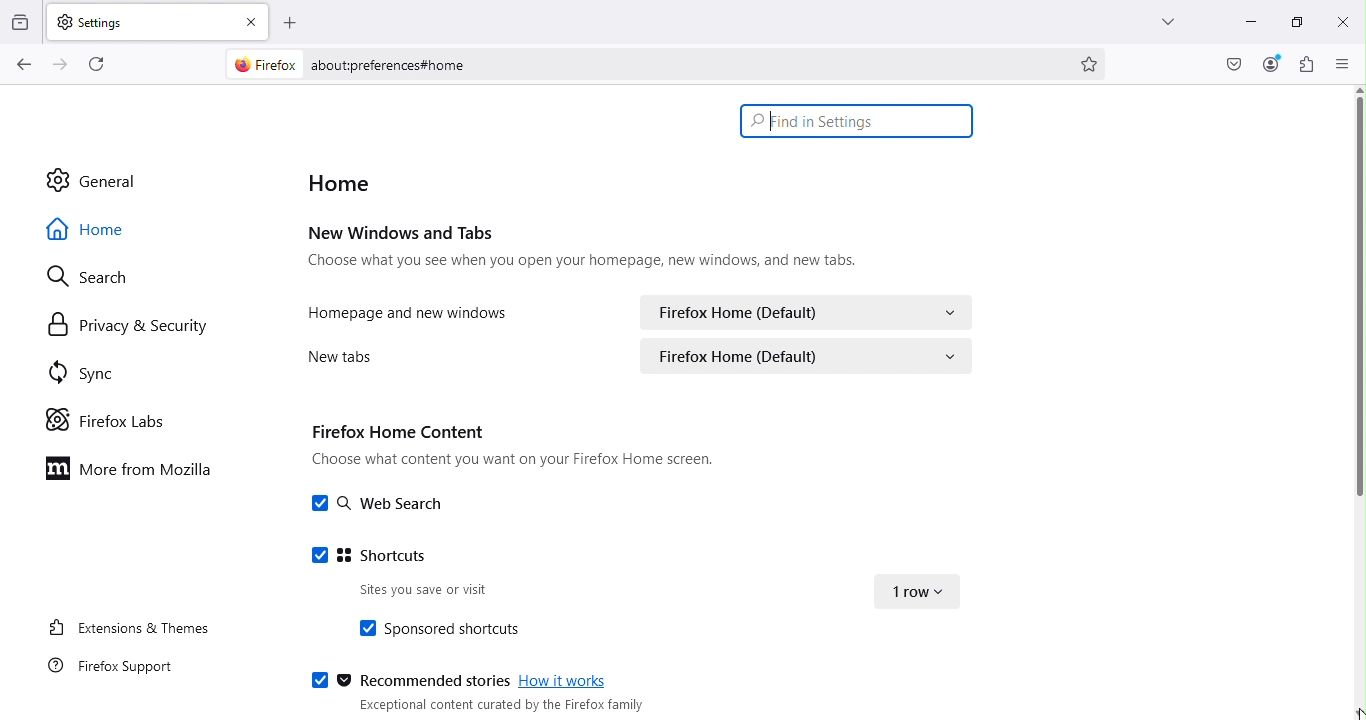  What do you see at coordinates (77, 370) in the screenshot?
I see `Sync` at bounding box center [77, 370].